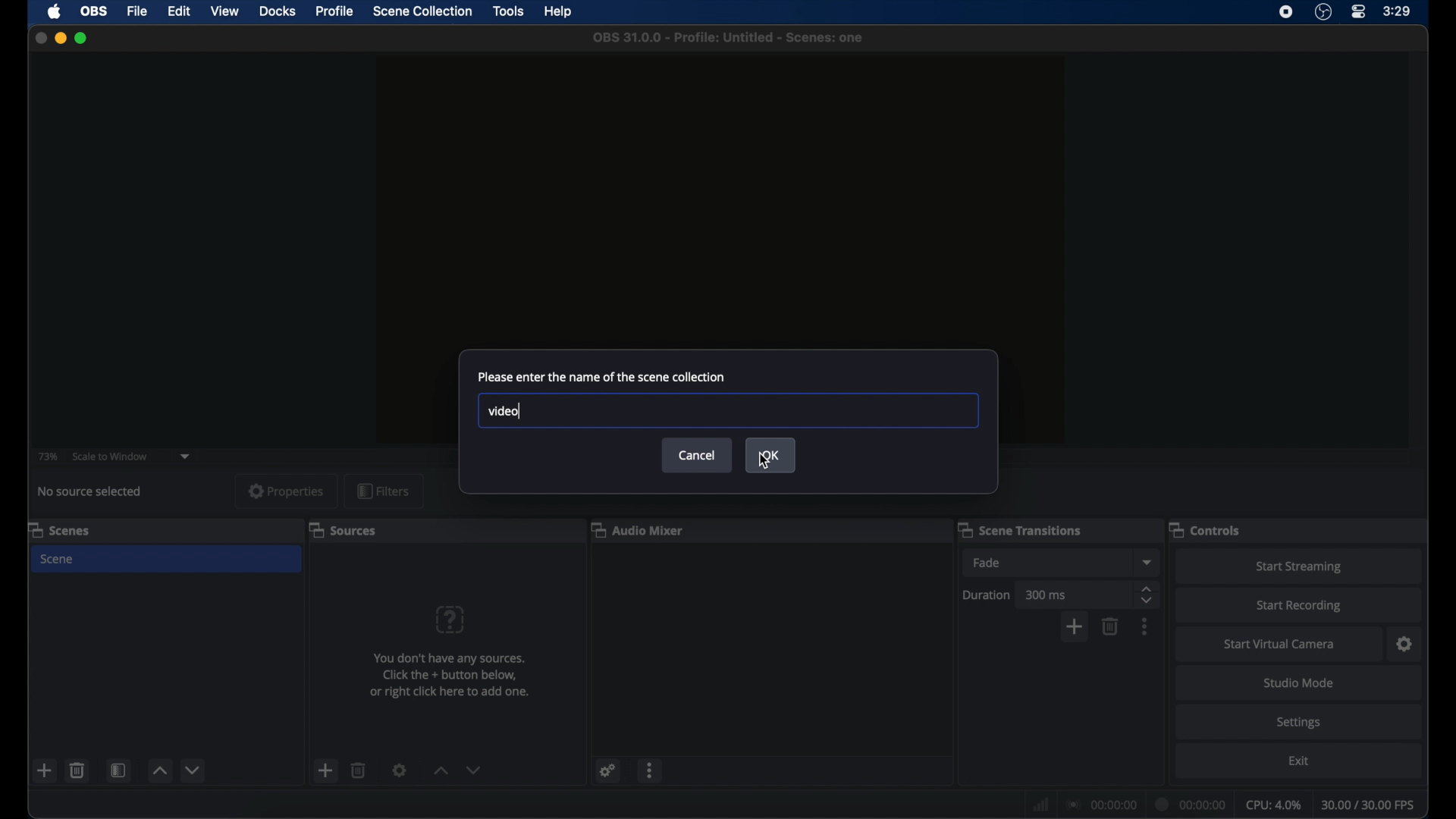 This screenshot has width=1456, height=819. Describe the element at coordinates (82, 38) in the screenshot. I see `maximize` at that location.